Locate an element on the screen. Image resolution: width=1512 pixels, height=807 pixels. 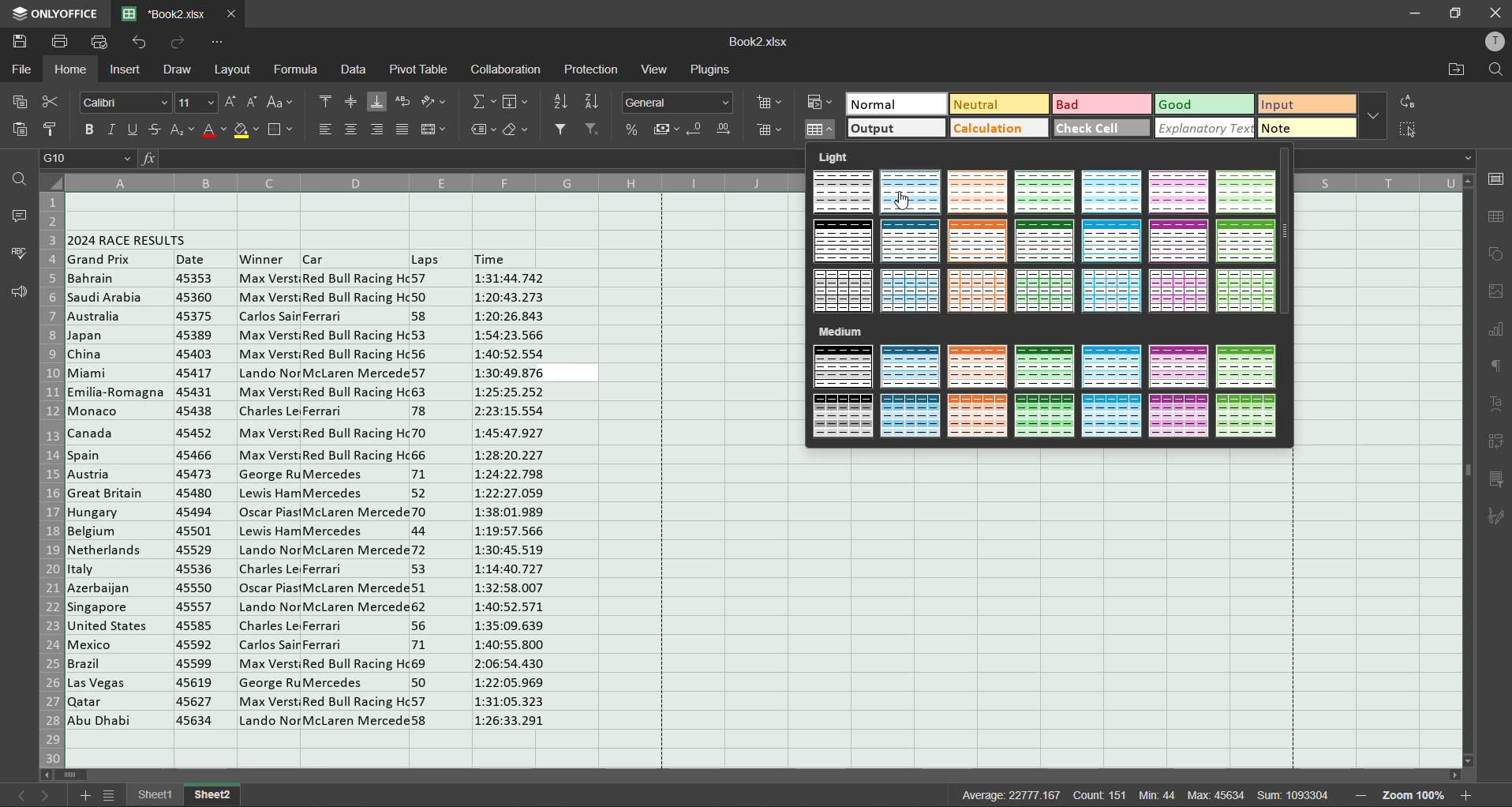
feedback is located at coordinates (18, 294).